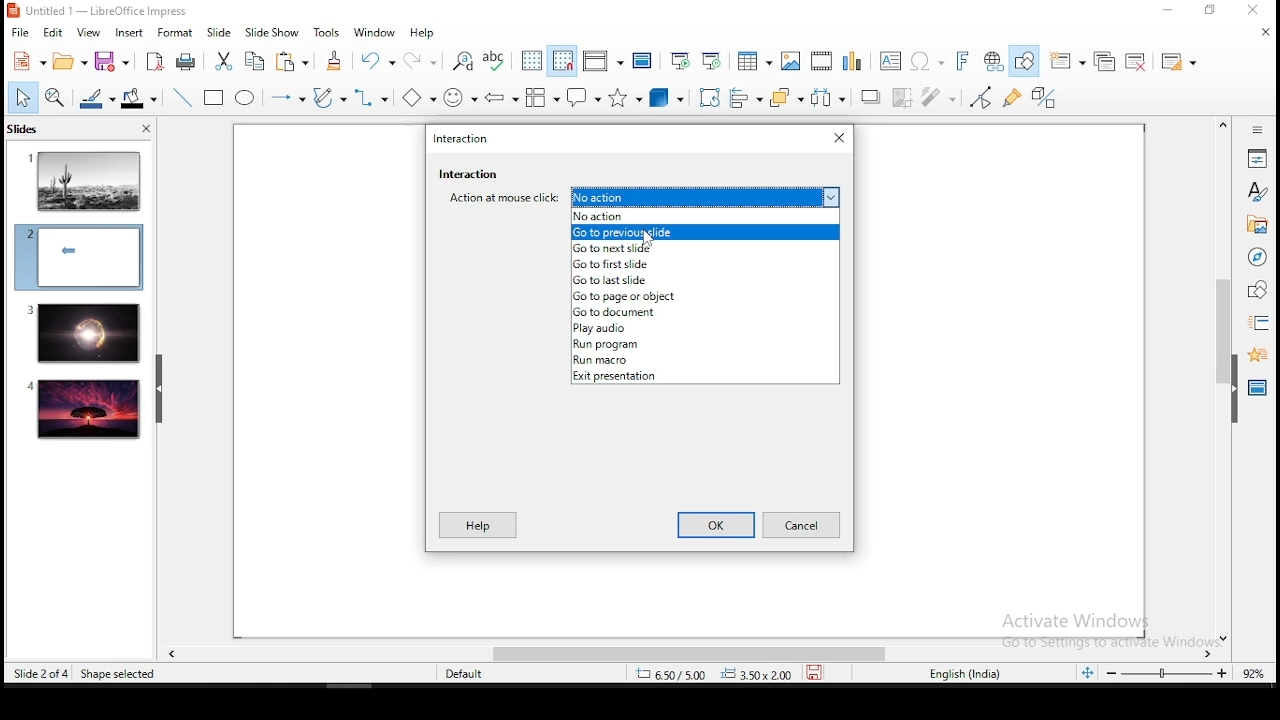 This screenshot has width=1280, height=720. I want to click on cancel, so click(802, 524).